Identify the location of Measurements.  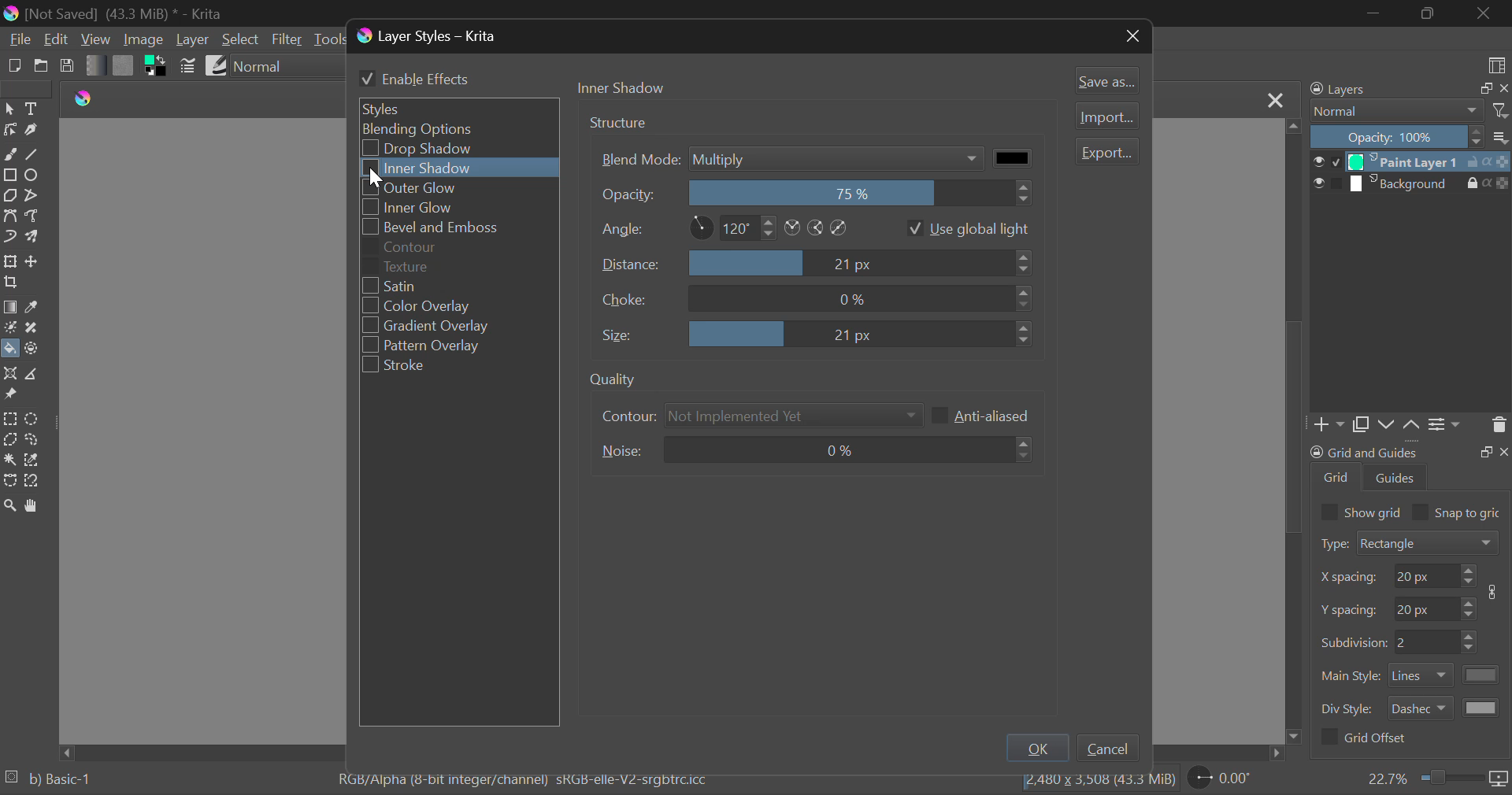
(34, 373).